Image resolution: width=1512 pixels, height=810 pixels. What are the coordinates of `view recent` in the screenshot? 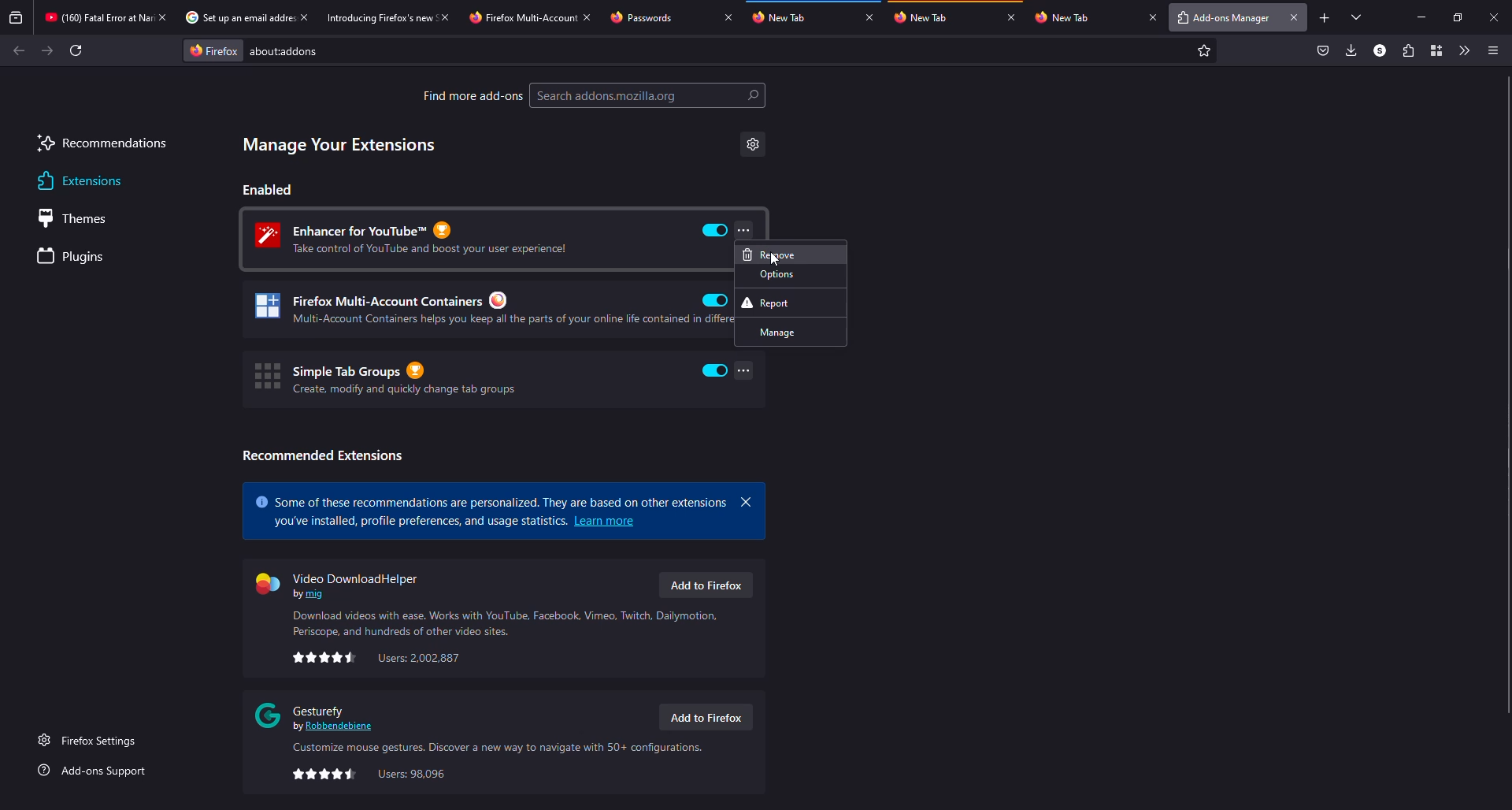 It's located at (17, 17).